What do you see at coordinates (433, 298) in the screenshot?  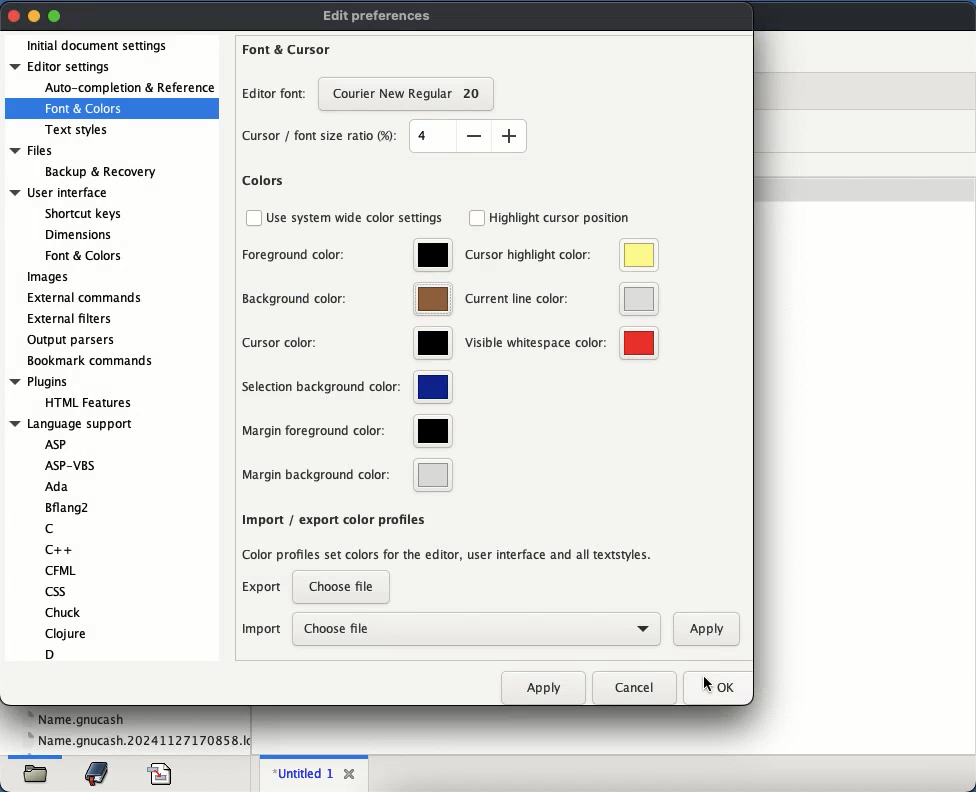 I see `brown` at bounding box center [433, 298].